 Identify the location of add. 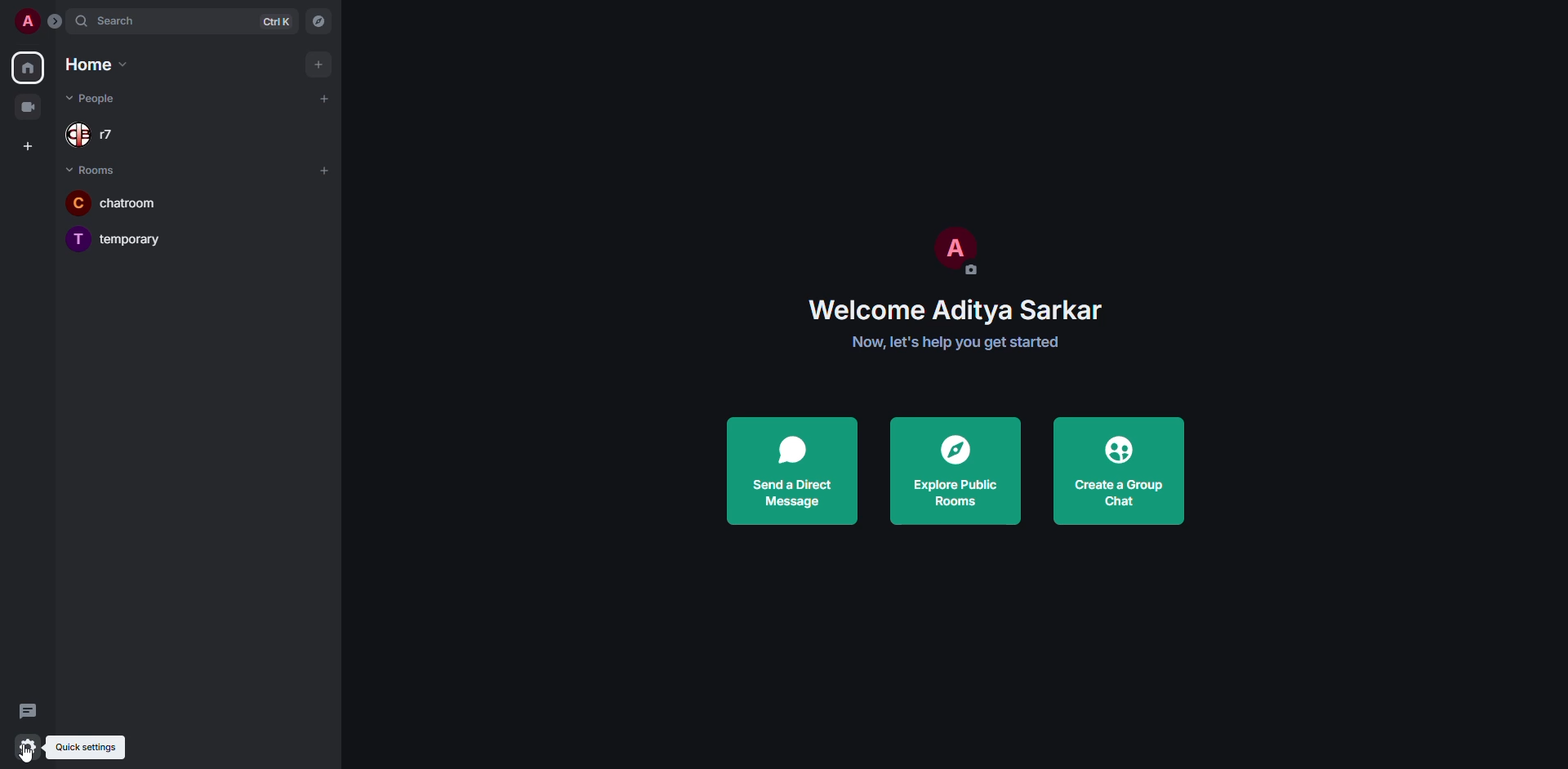
(323, 169).